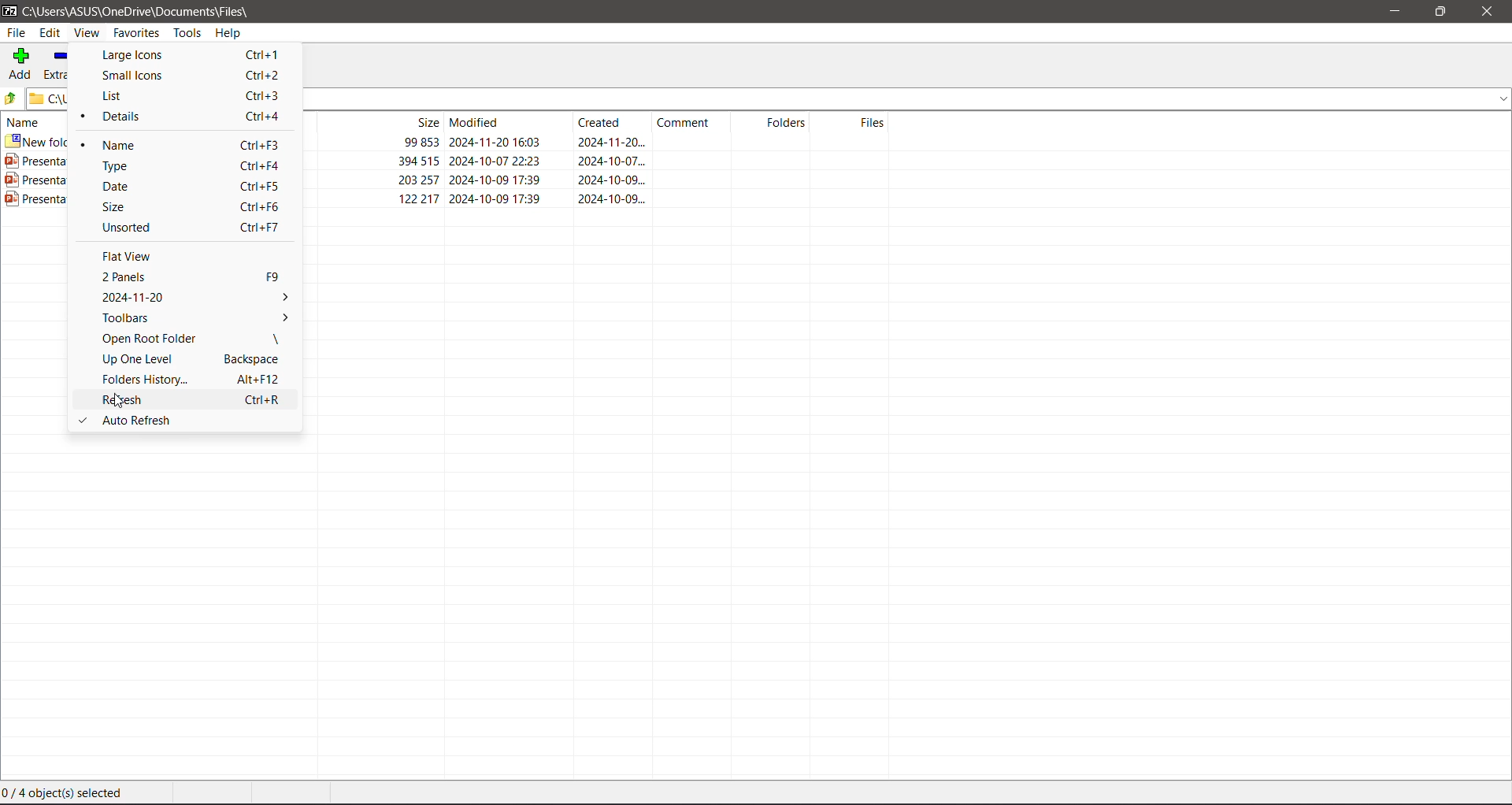 This screenshot has width=1512, height=805. What do you see at coordinates (597, 198) in the screenshot?
I see `ppt 3` at bounding box center [597, 198].